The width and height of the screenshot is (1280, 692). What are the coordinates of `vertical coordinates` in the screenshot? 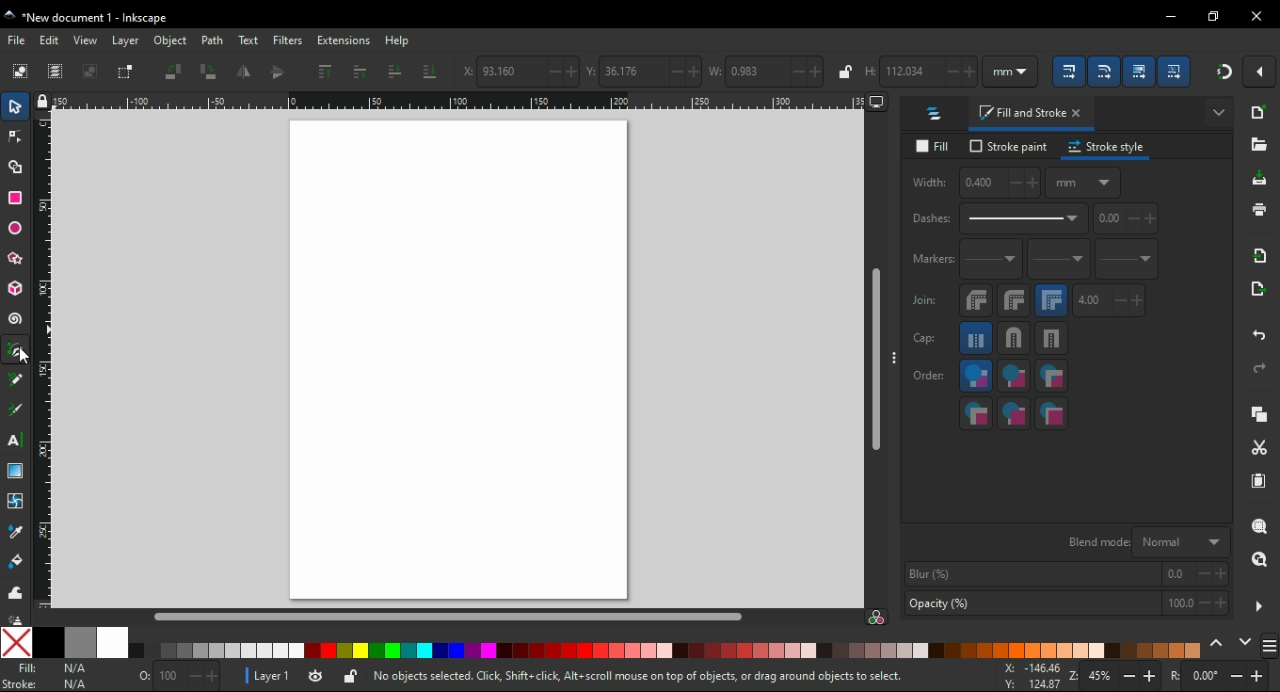 It's located at (643, 71).